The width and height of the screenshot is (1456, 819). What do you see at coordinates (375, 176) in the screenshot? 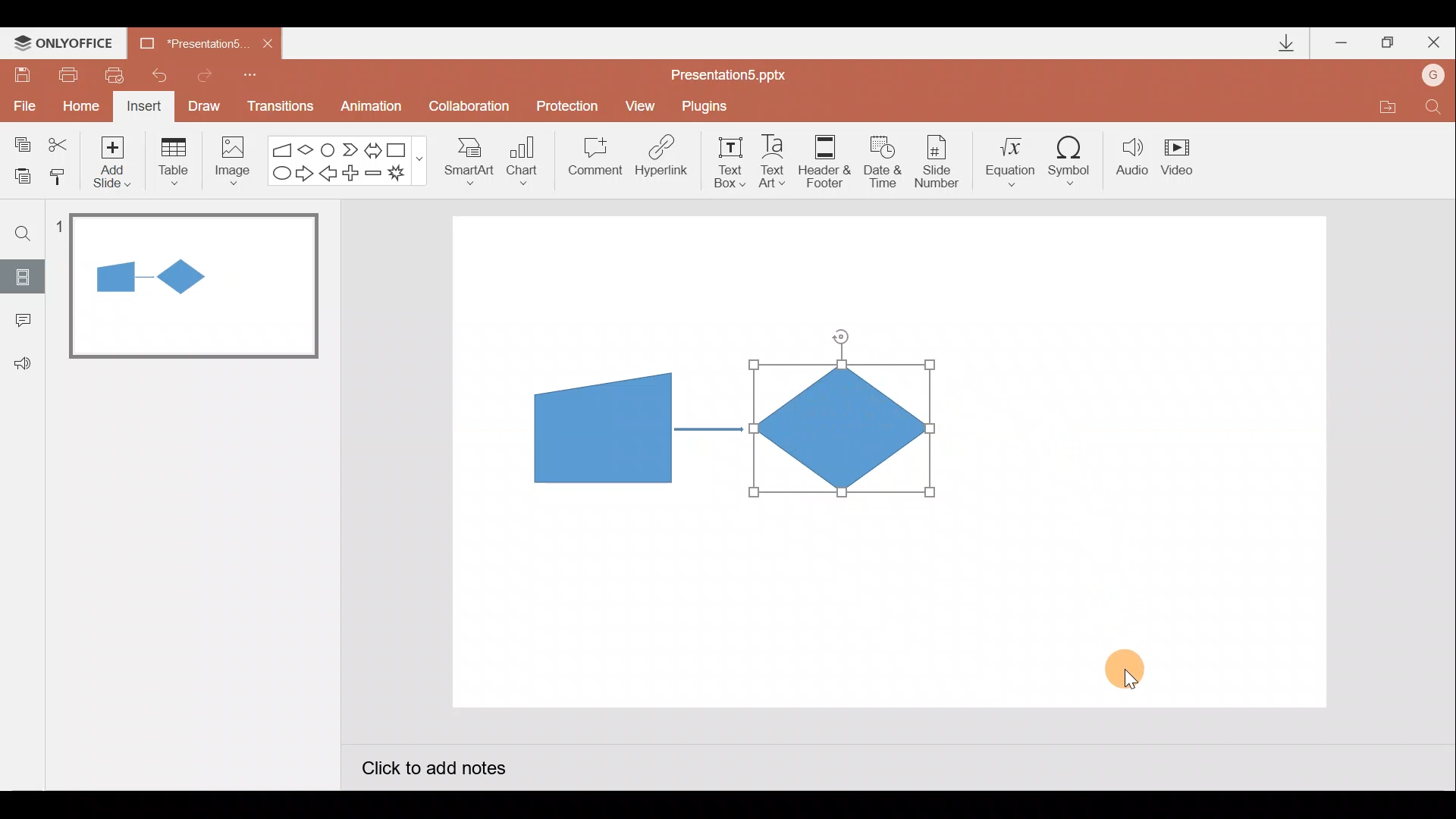
I see `Minus` at bounding box center [375, 176].